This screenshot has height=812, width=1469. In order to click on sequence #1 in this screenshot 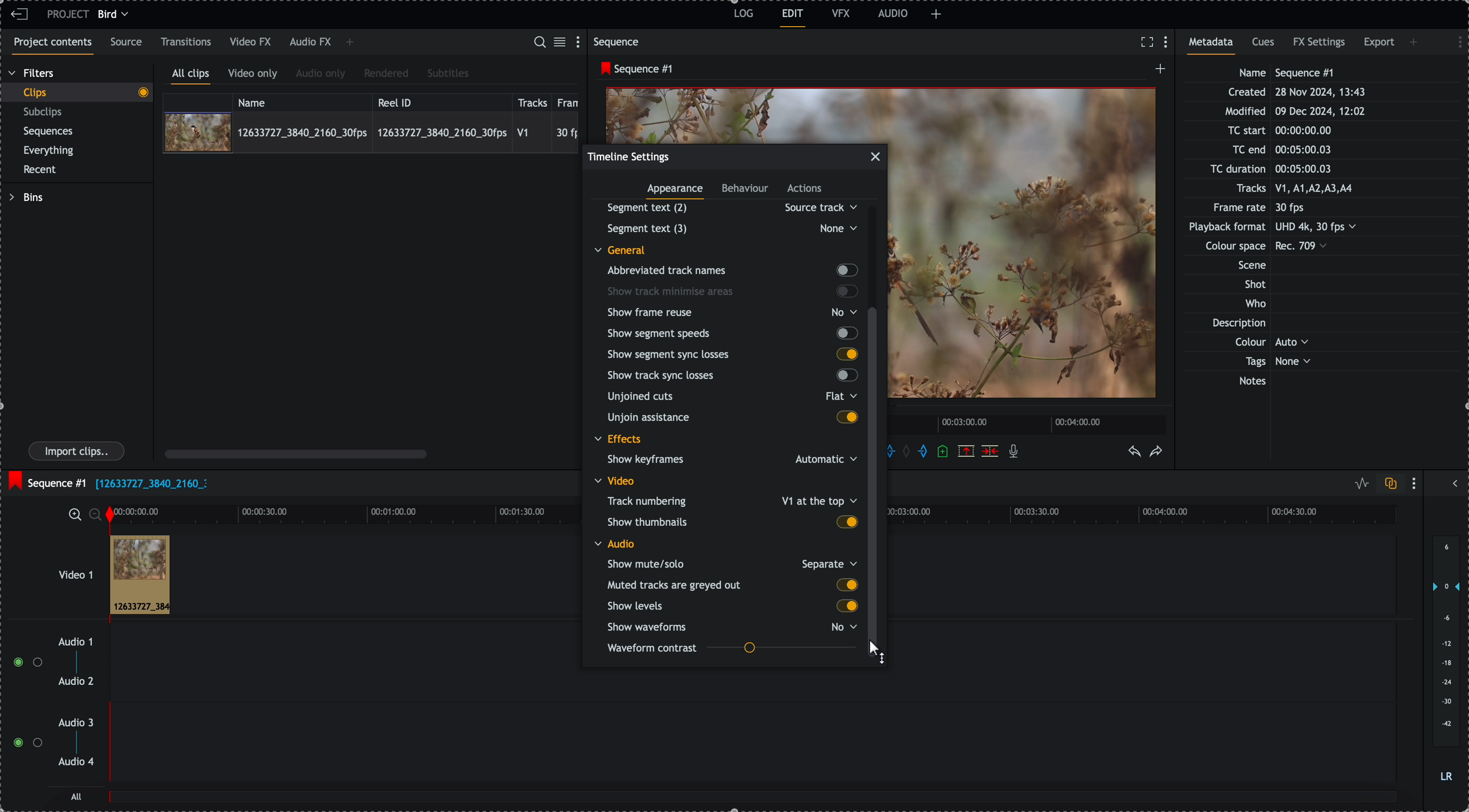, I will do `click(634, 69)`.